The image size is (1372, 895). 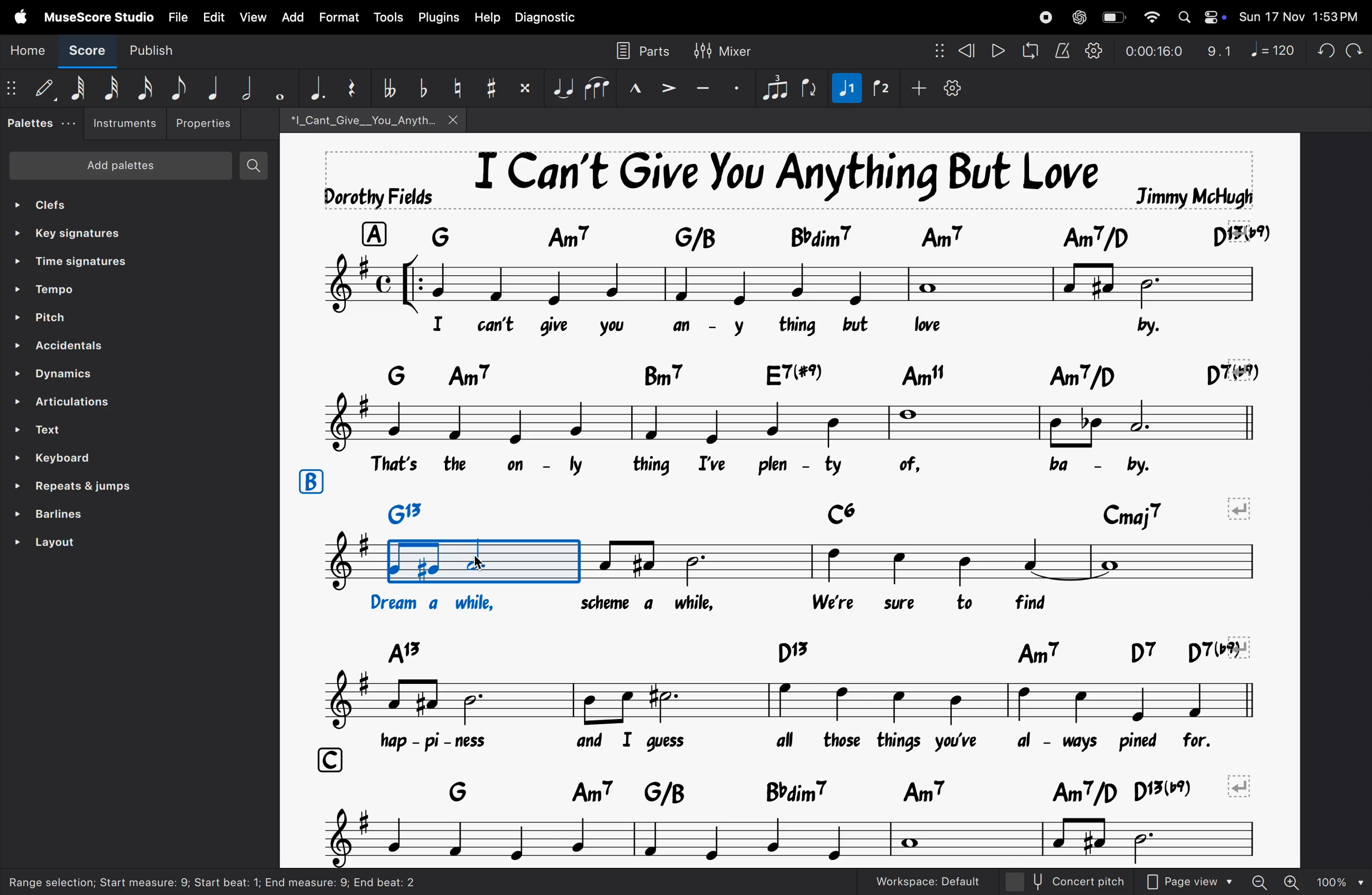 I want to click on barlines, so click(x=51, y=514).